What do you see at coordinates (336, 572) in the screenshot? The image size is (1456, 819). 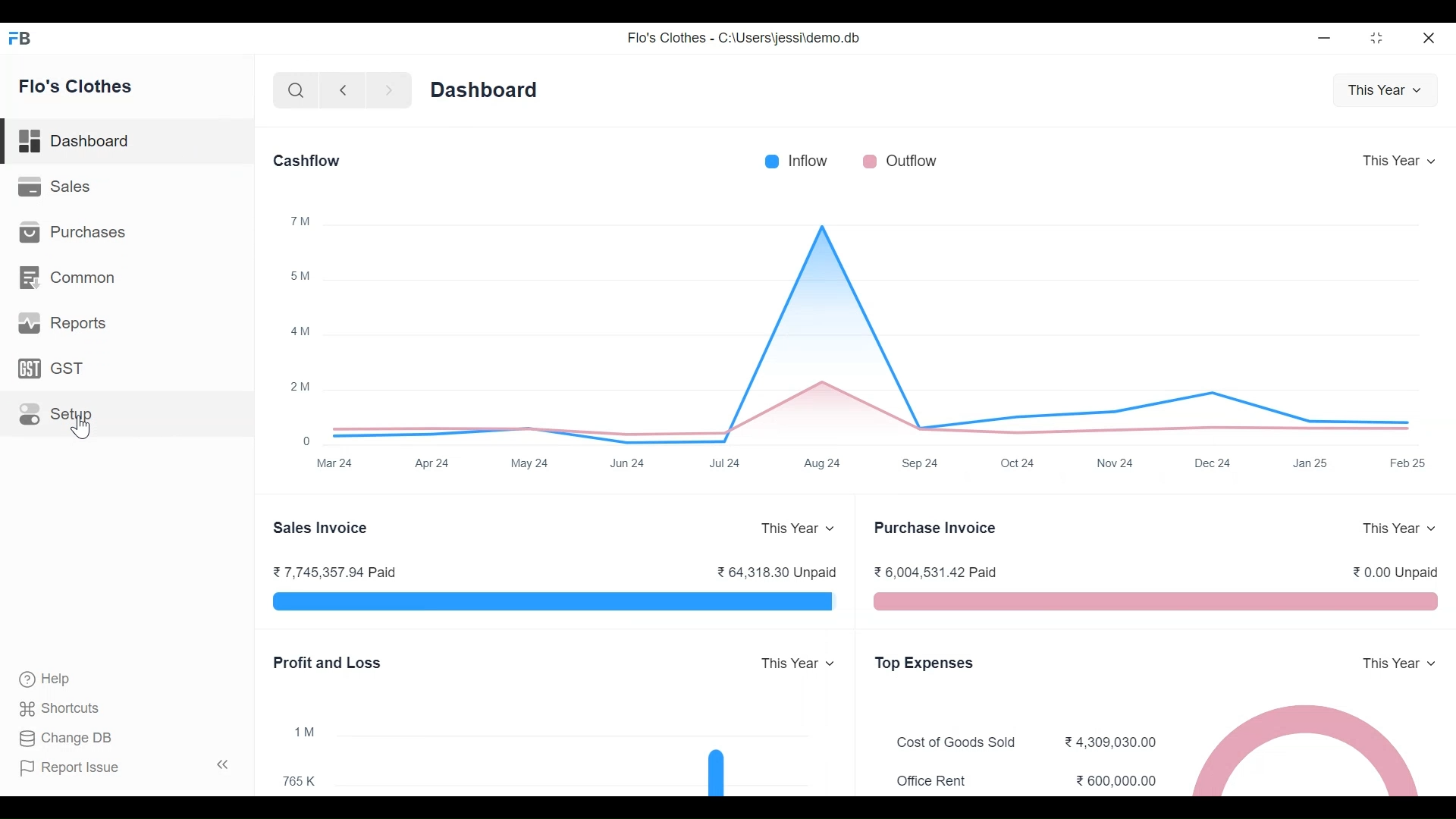 I see `₹ 7,745,357.94 Paid` at bounding box center [336, 572].